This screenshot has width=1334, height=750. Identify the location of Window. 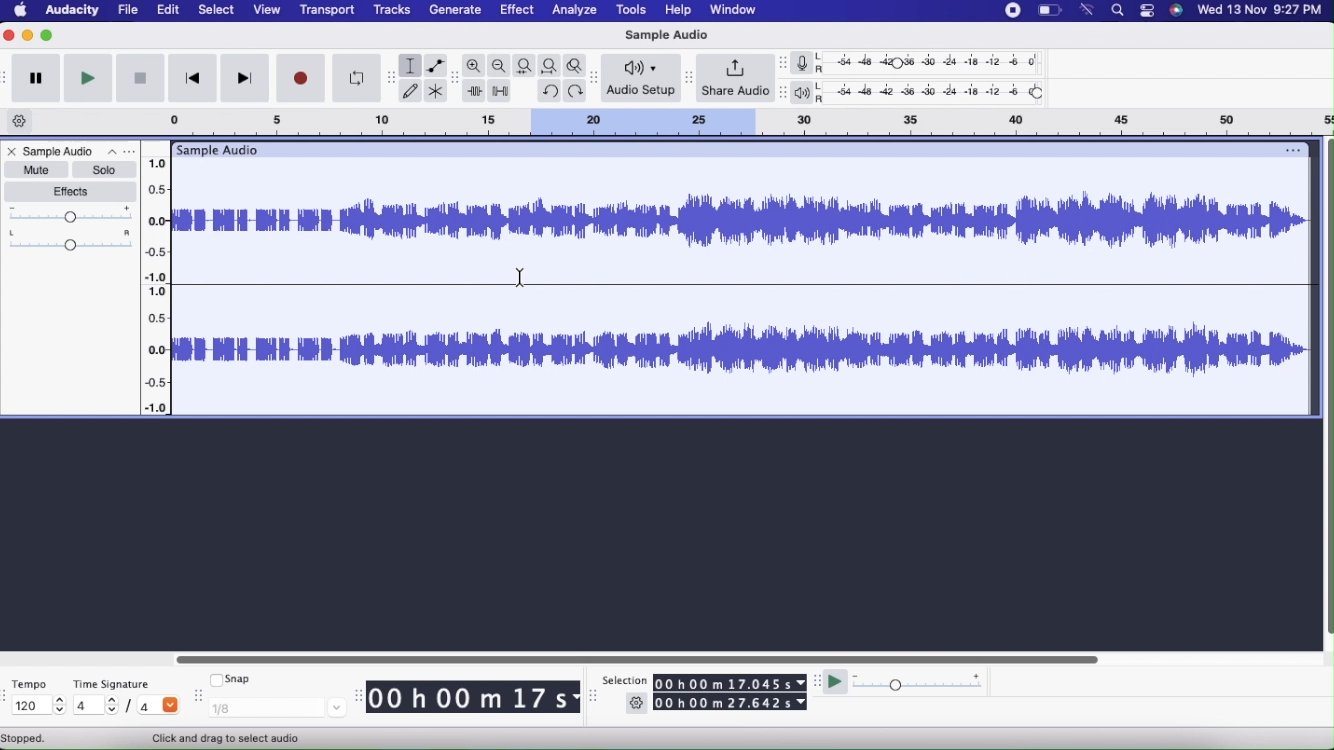
(738, 10).